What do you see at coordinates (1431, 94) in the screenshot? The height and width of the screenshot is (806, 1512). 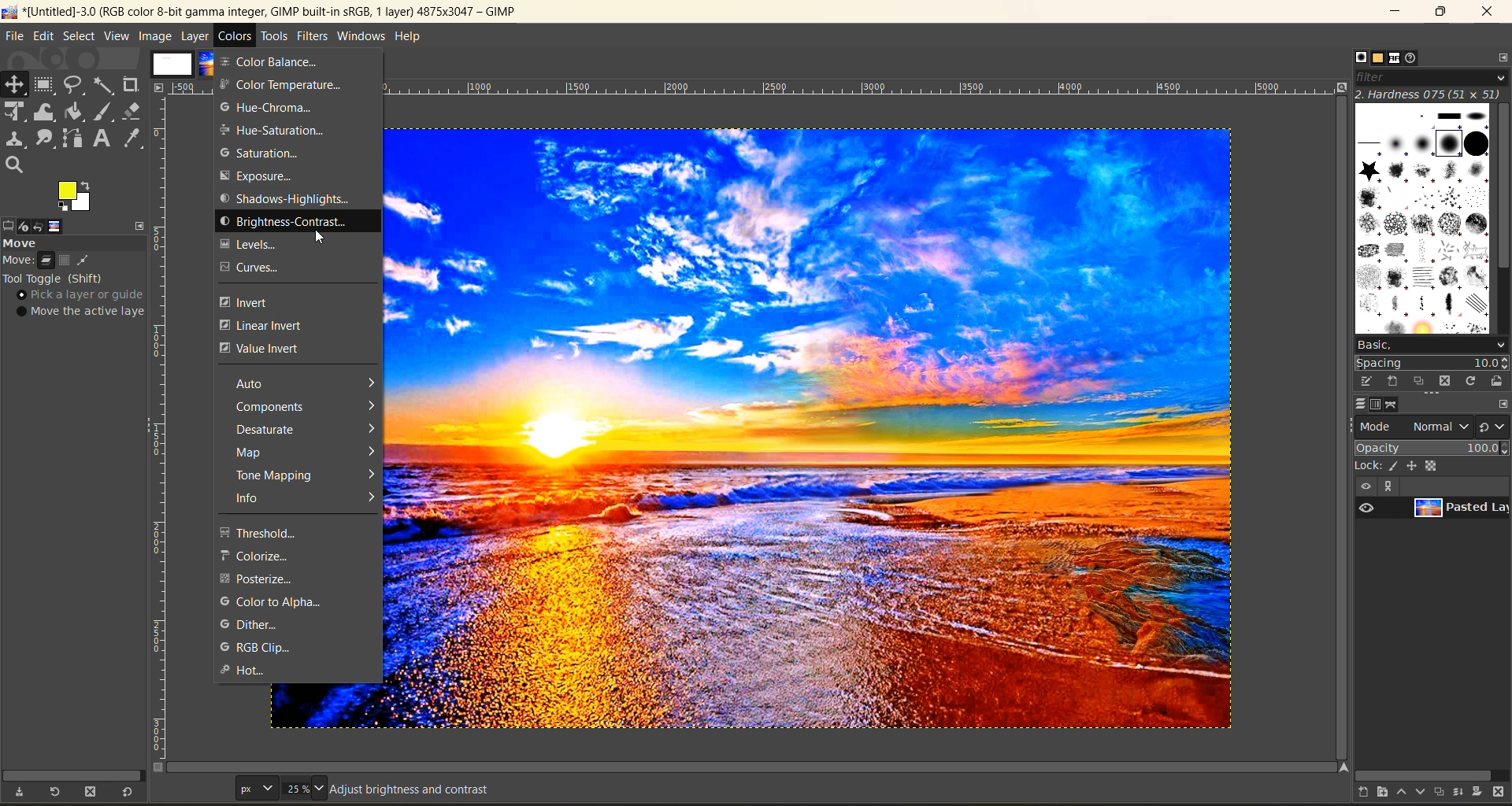 I see `hardness` at bounding box center [1431, 94].